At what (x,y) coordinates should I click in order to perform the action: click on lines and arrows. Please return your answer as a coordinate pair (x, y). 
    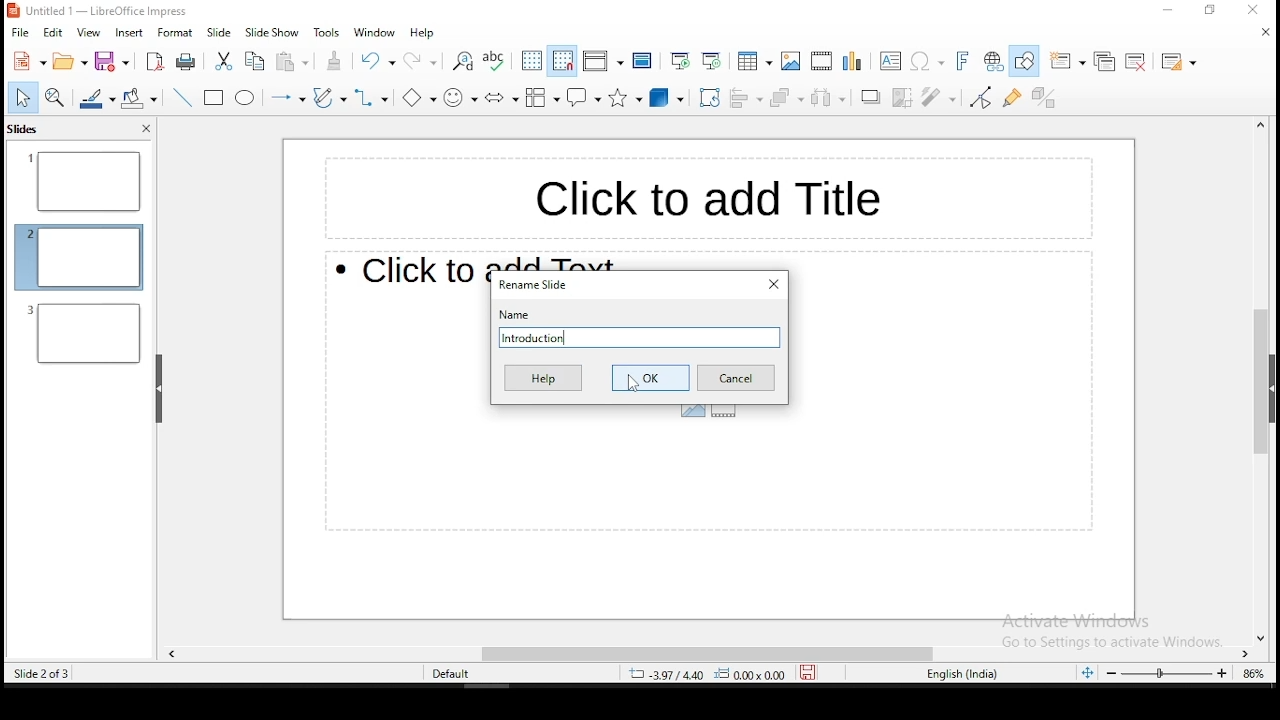
    Looking at the image, I should click on (286, 96).